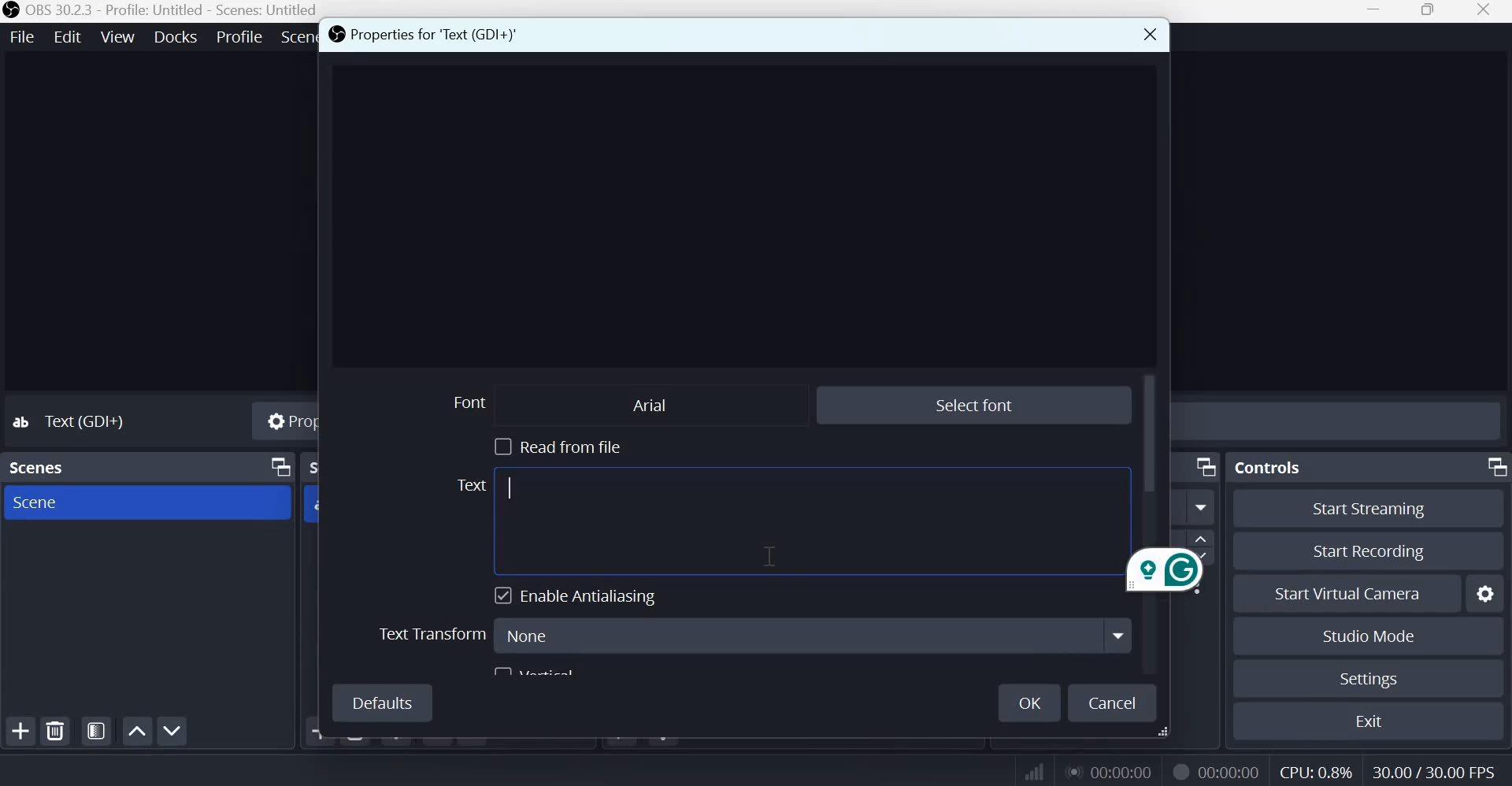  Describe the element at coordinates (1202, 539) in the screenshot. I see `increase` at that location.